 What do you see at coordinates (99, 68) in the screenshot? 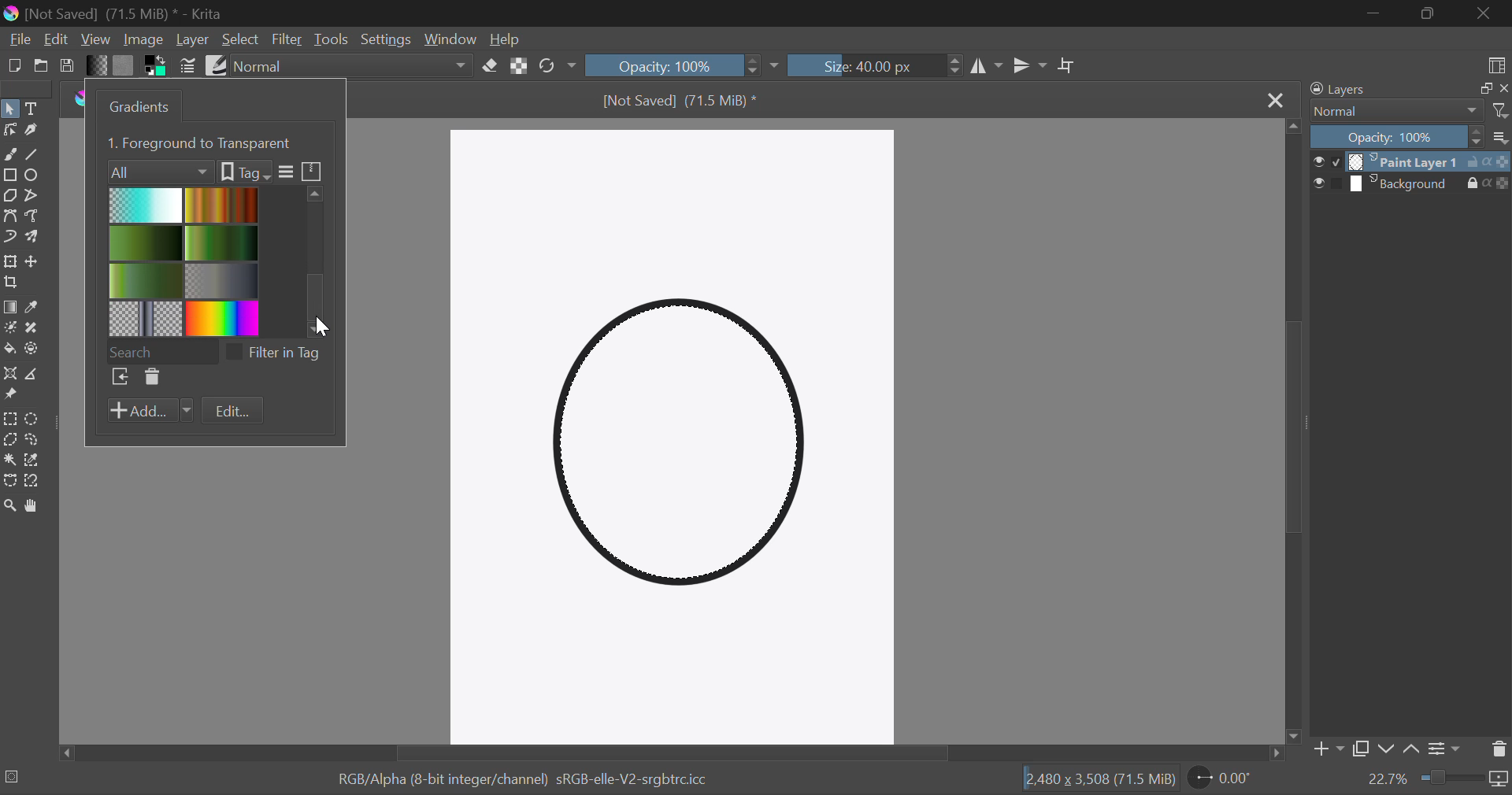
I see `Gradient` at bounding box center [99, 68].